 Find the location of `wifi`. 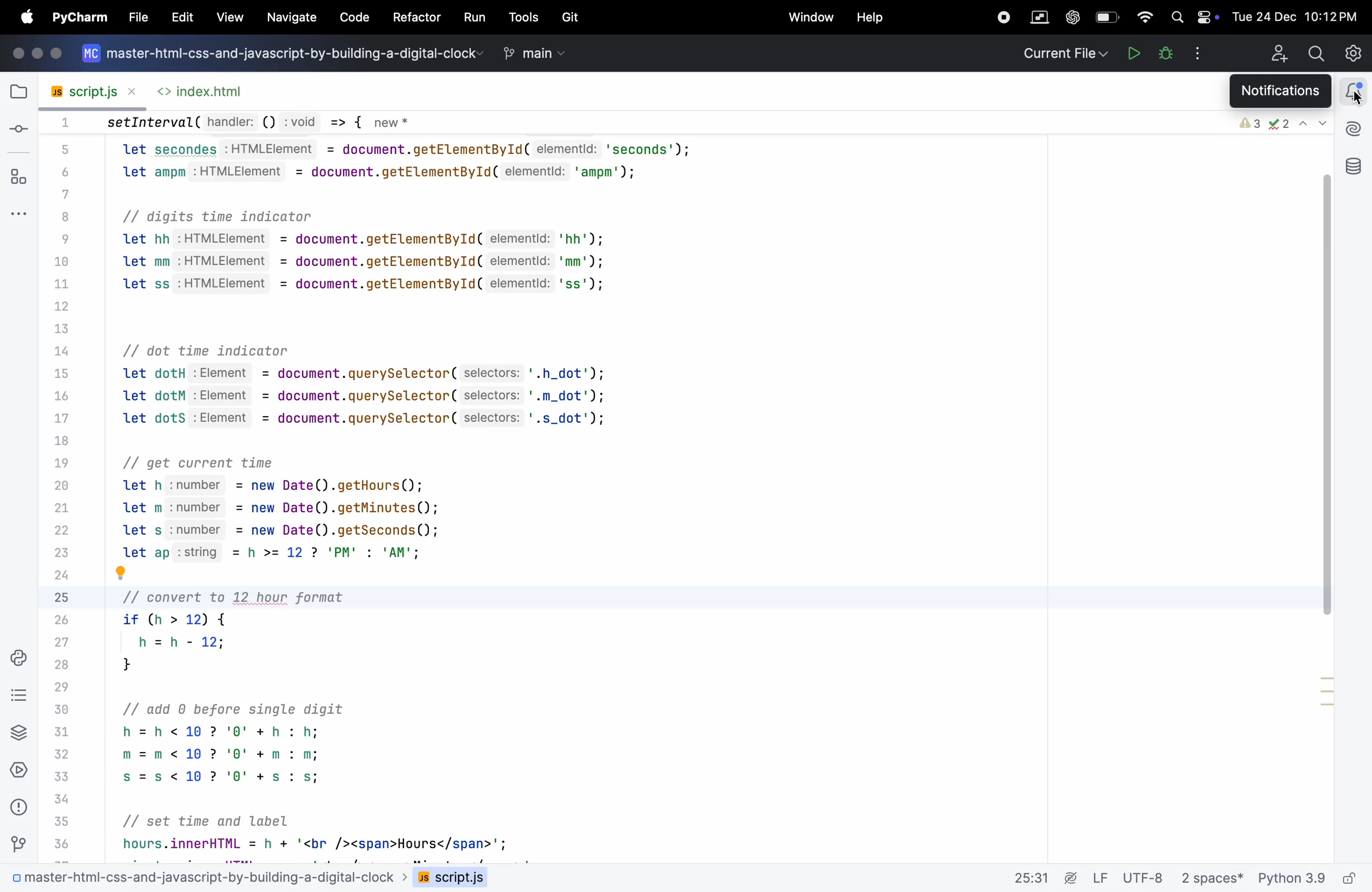

wifi is located at coordinates (1143, 16).